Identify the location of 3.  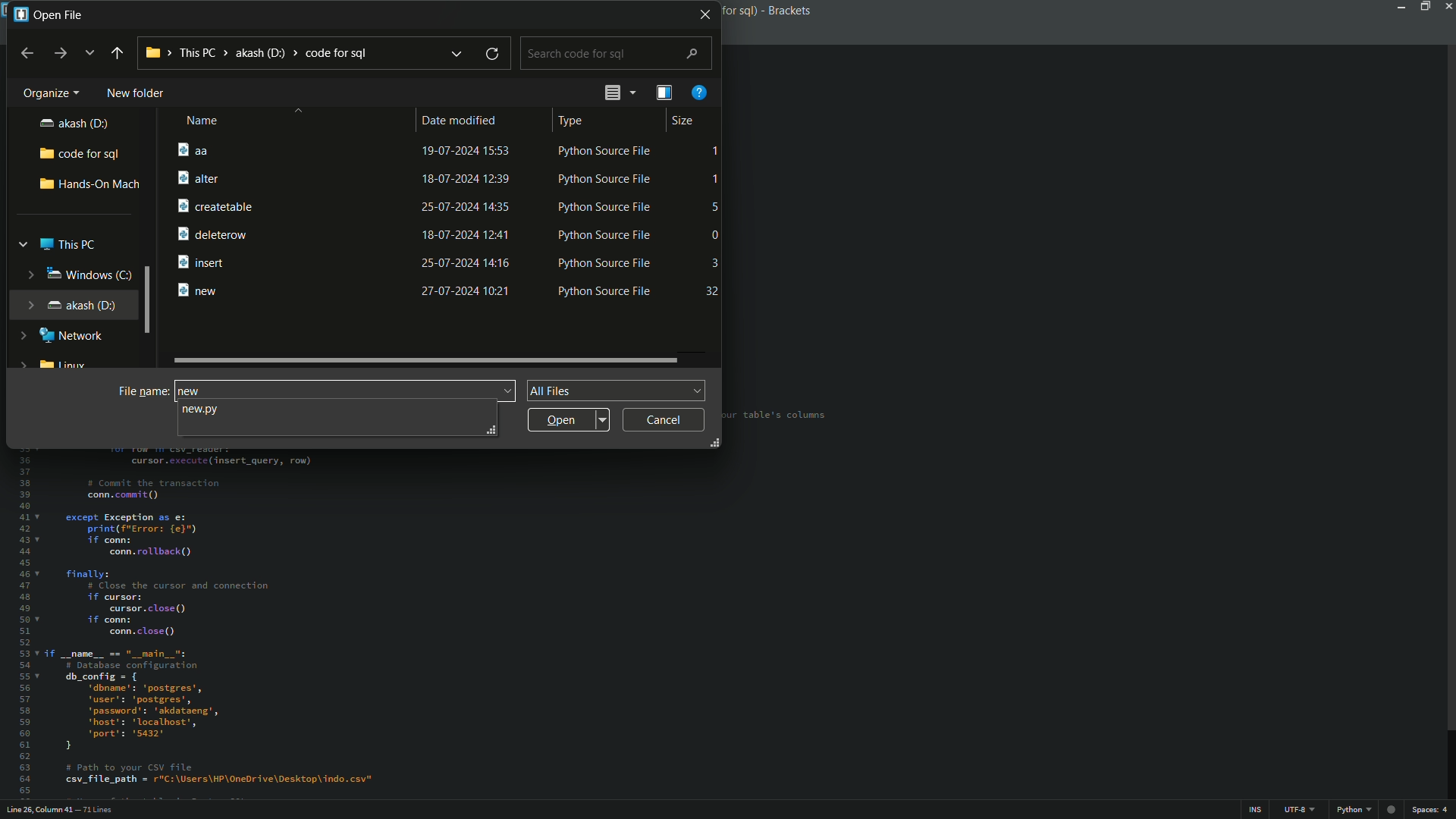
(714, 260).